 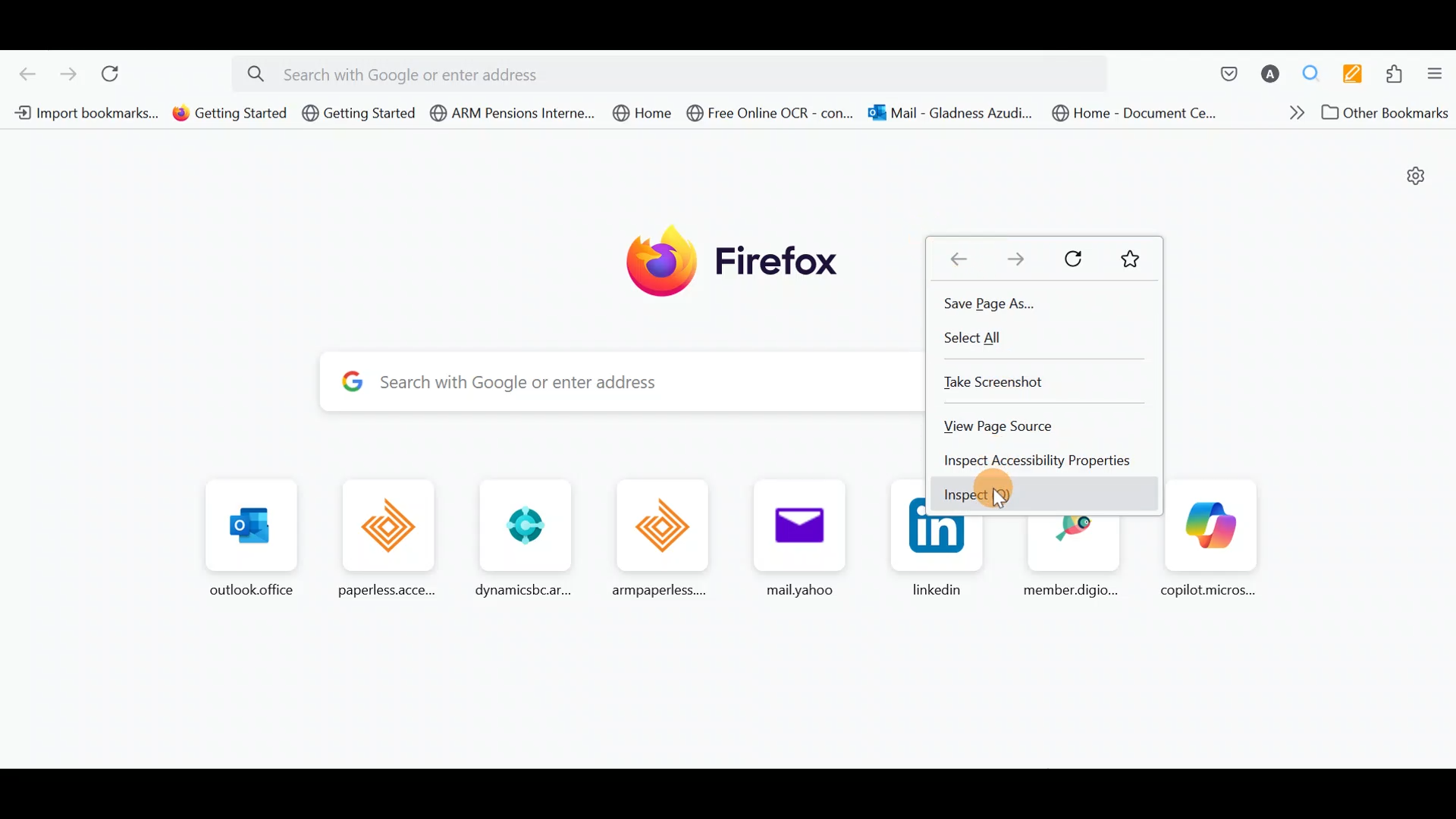 What do you see at coordinates (121, 76) in the screenshot?
I see `Reload current page` at bounding box center [121, 76].